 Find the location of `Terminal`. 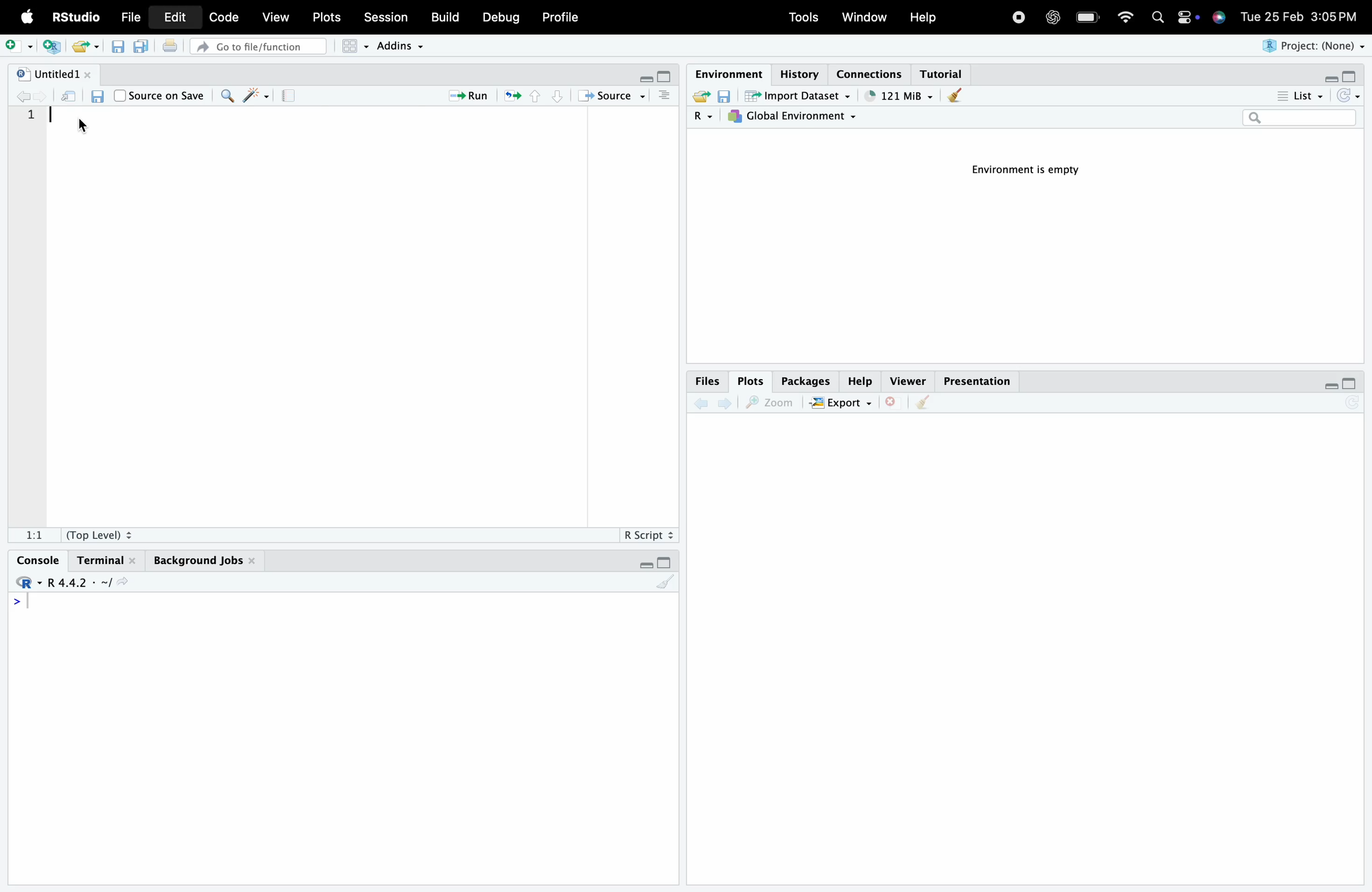

Terminal is located at coordinates (107, 559).